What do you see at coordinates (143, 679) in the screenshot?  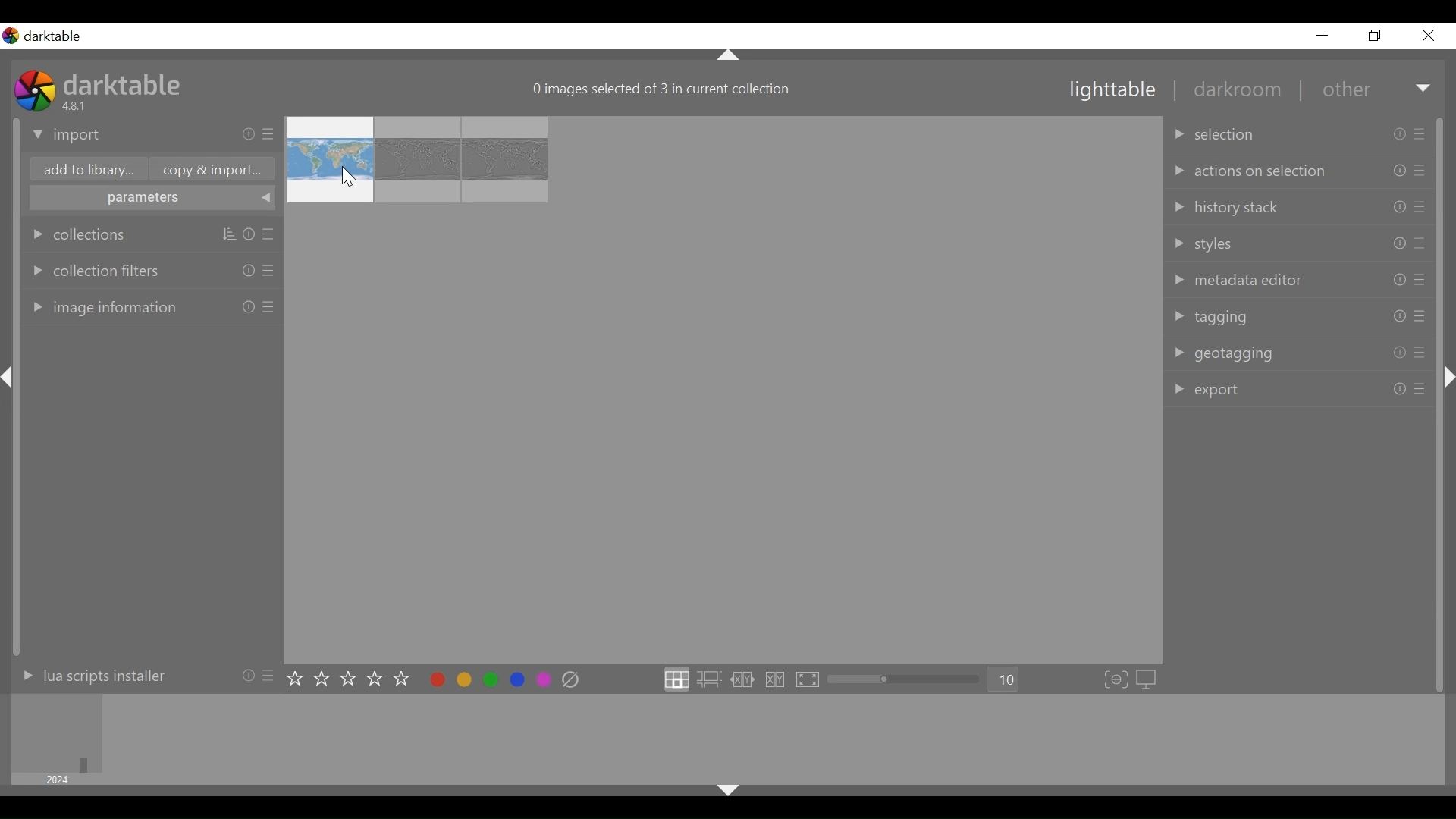 I see `lua scripts installer` at bounding box center [143, 679].